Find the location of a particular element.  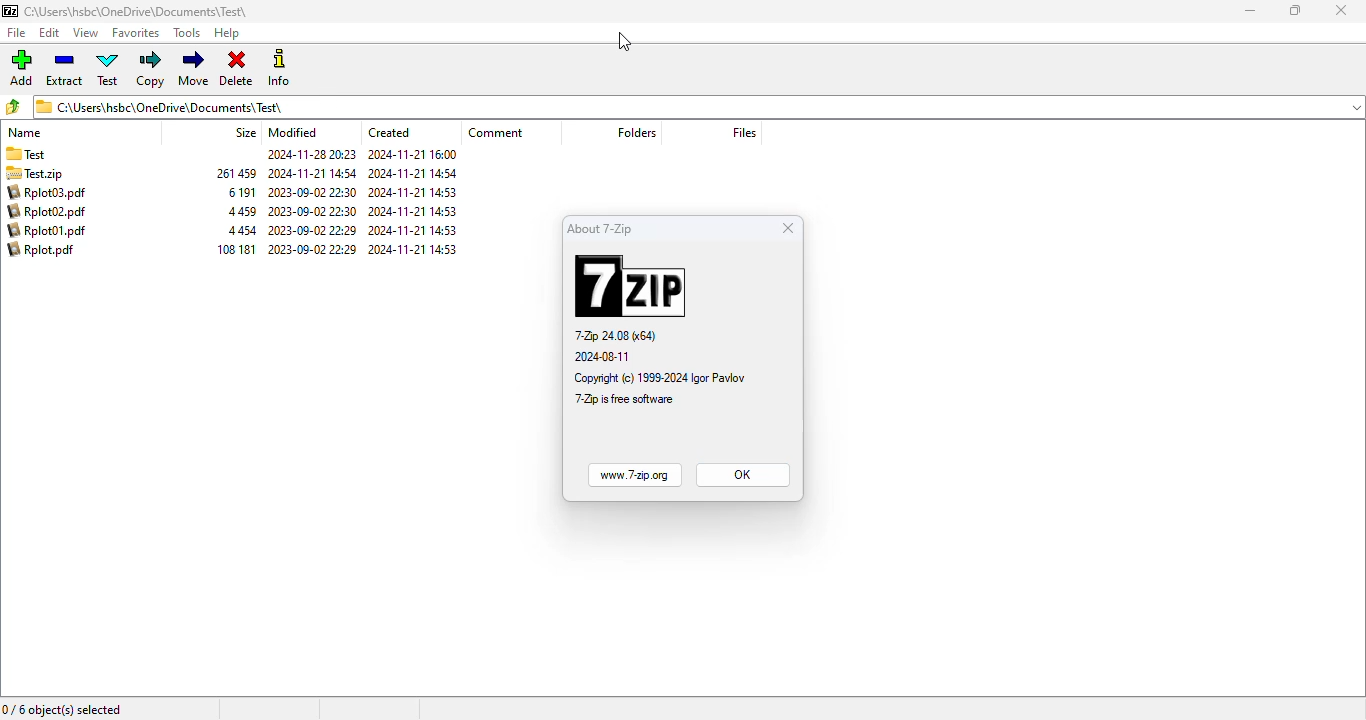

7-Zip 24.08 (x64) is located at coordinates (616, 336).